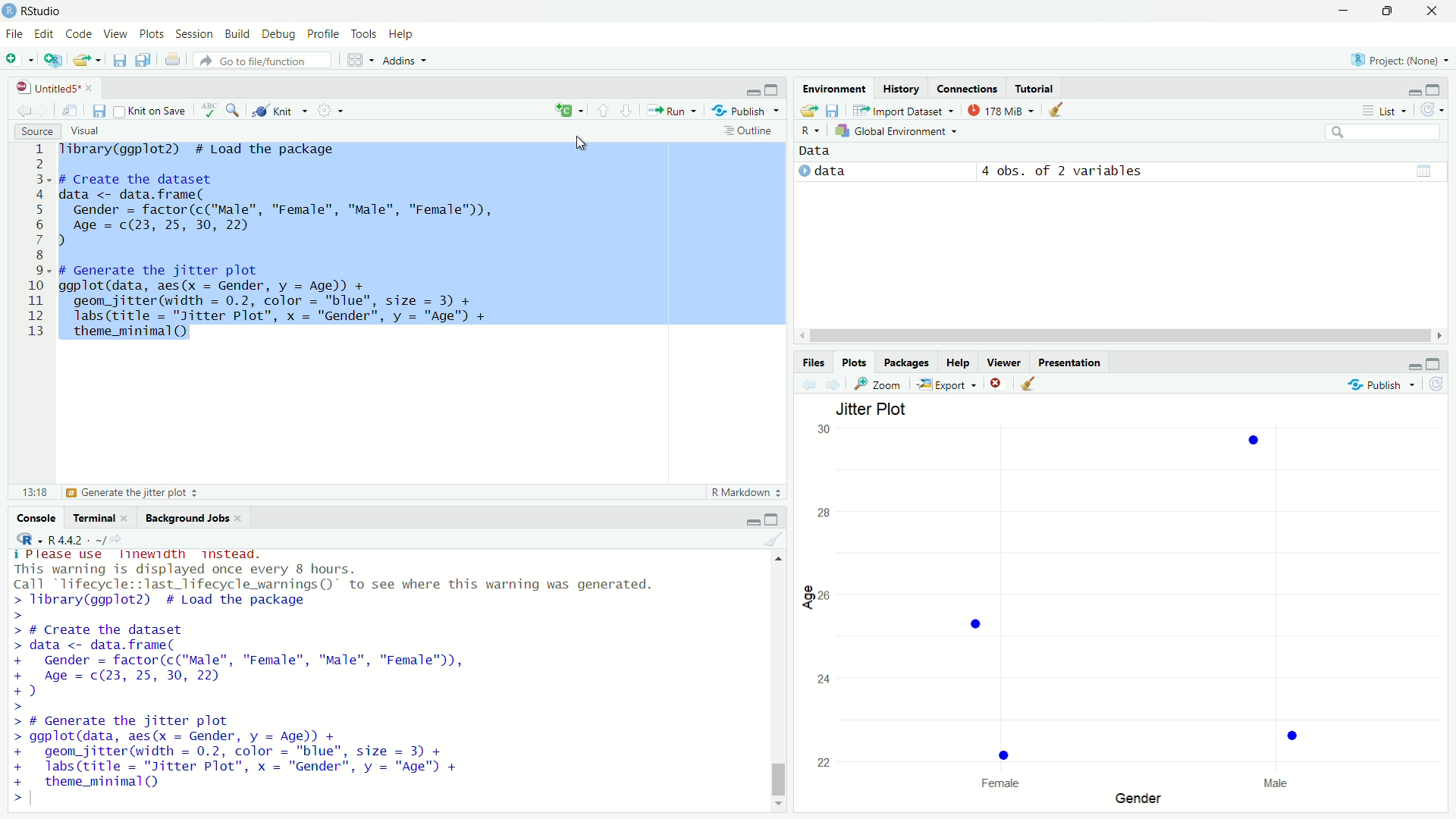 The height and width of the screenshot is (819, 1456). Describe the element at coordinates (171, 59) in the screenshot. I see `print the file` at that location.